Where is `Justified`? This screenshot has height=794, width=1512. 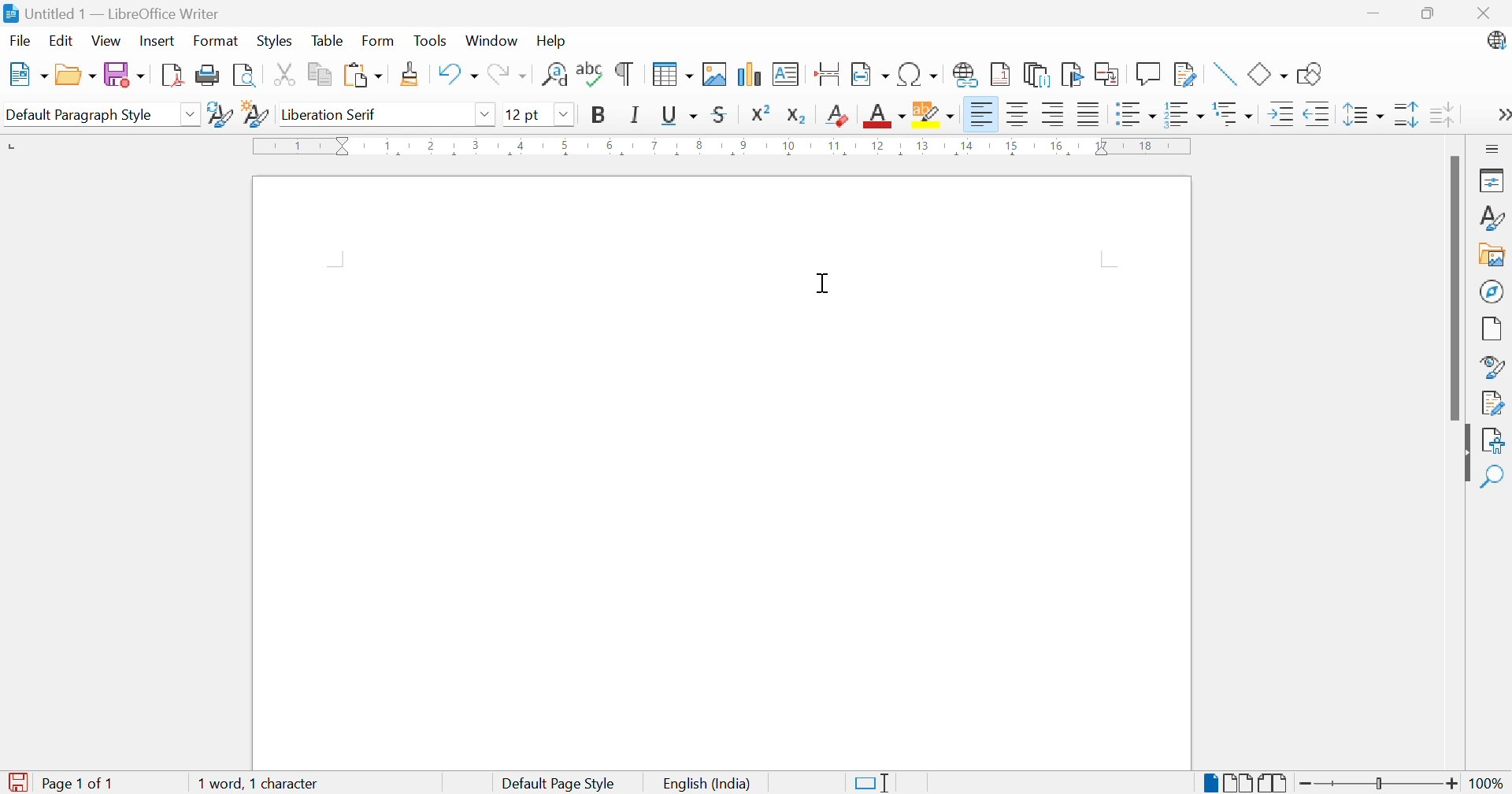
Justified is located at coordinates (1088, 114).